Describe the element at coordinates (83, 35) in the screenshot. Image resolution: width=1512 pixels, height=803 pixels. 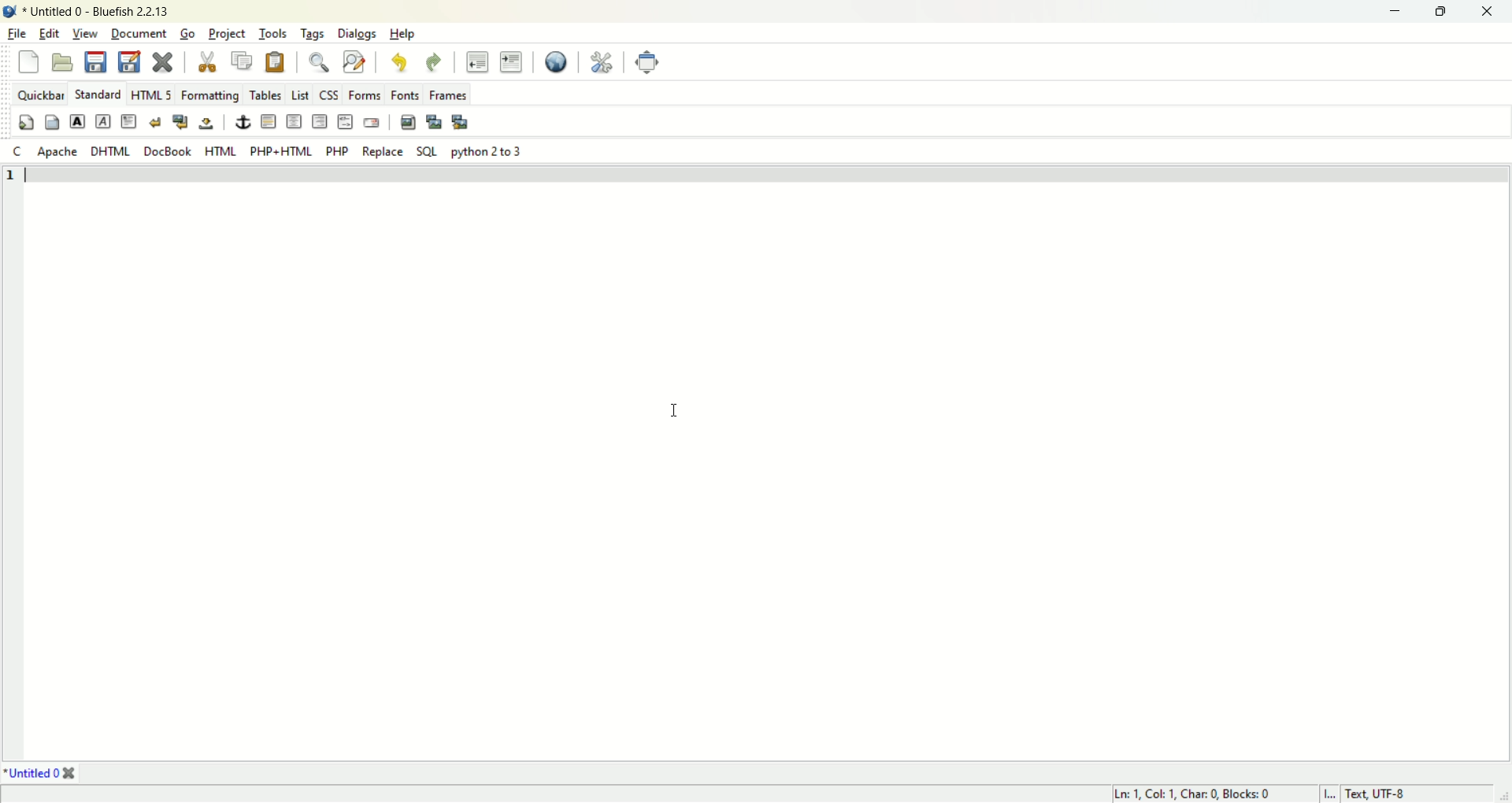
I see `view` at that location.